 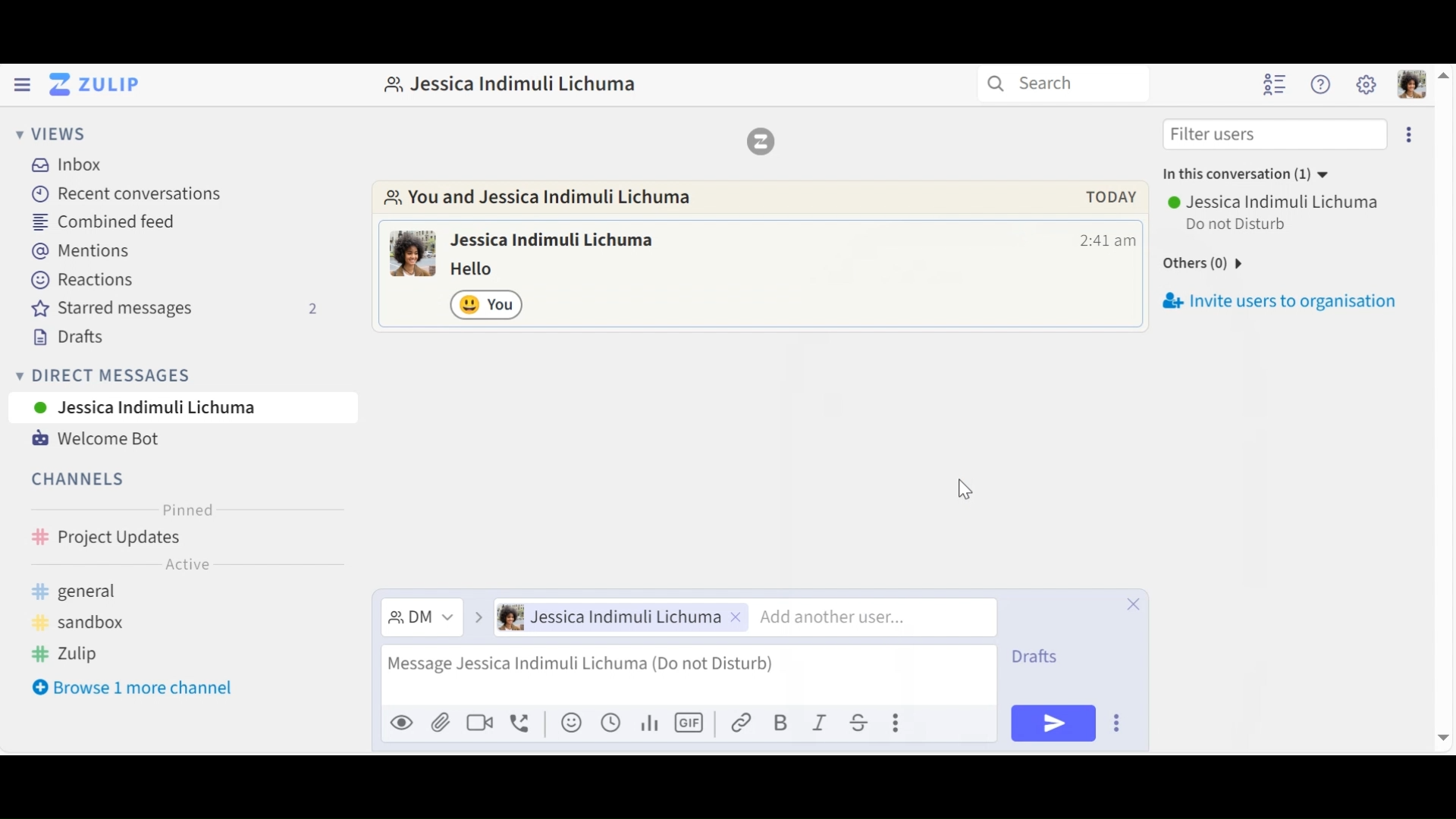 I want to click on Hide user list, so click(x=1275, y=85).